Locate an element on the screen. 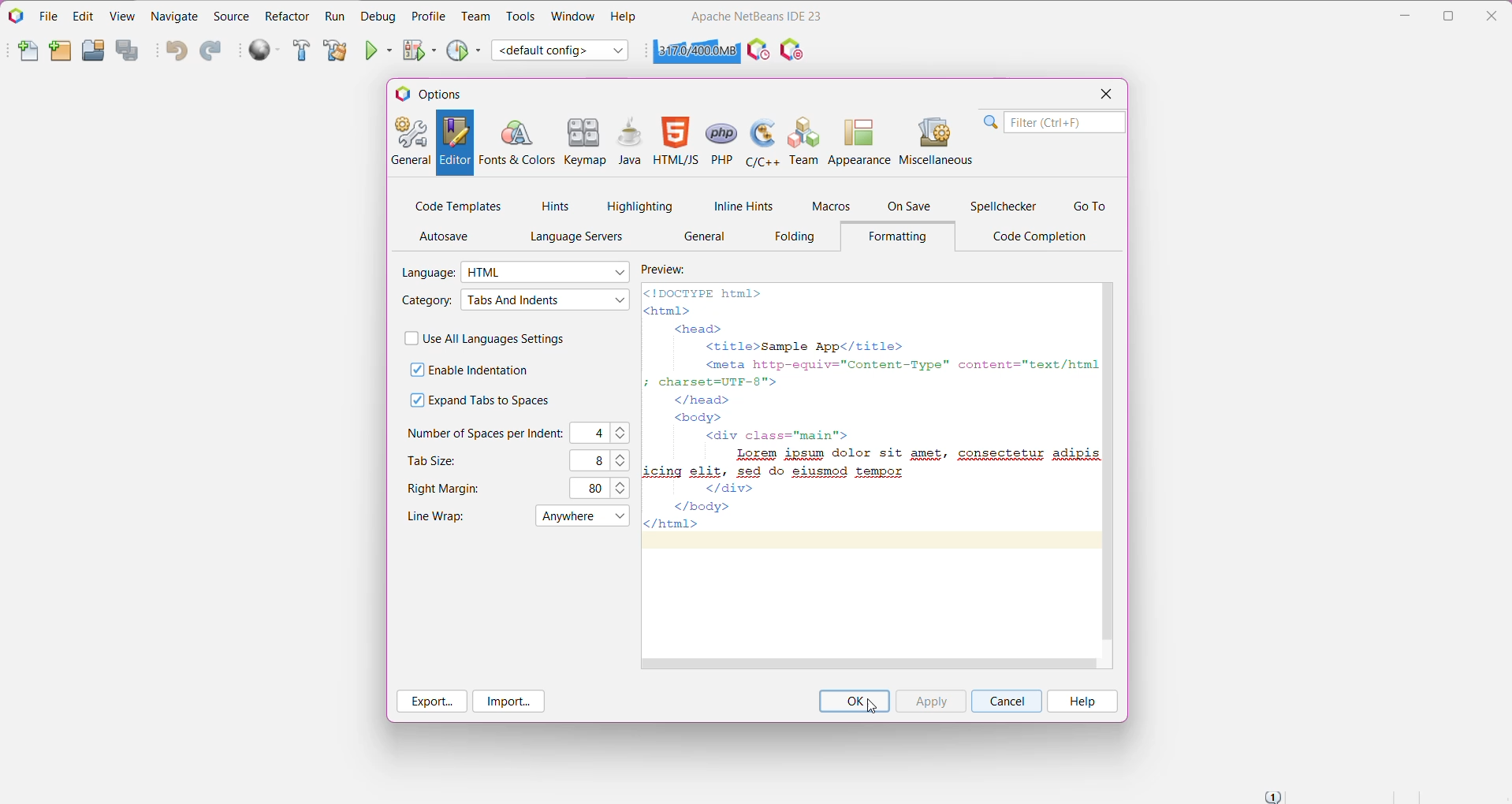 The height and width of the screenshot is (804, 1512). Help is located at coordinates (624, 18).